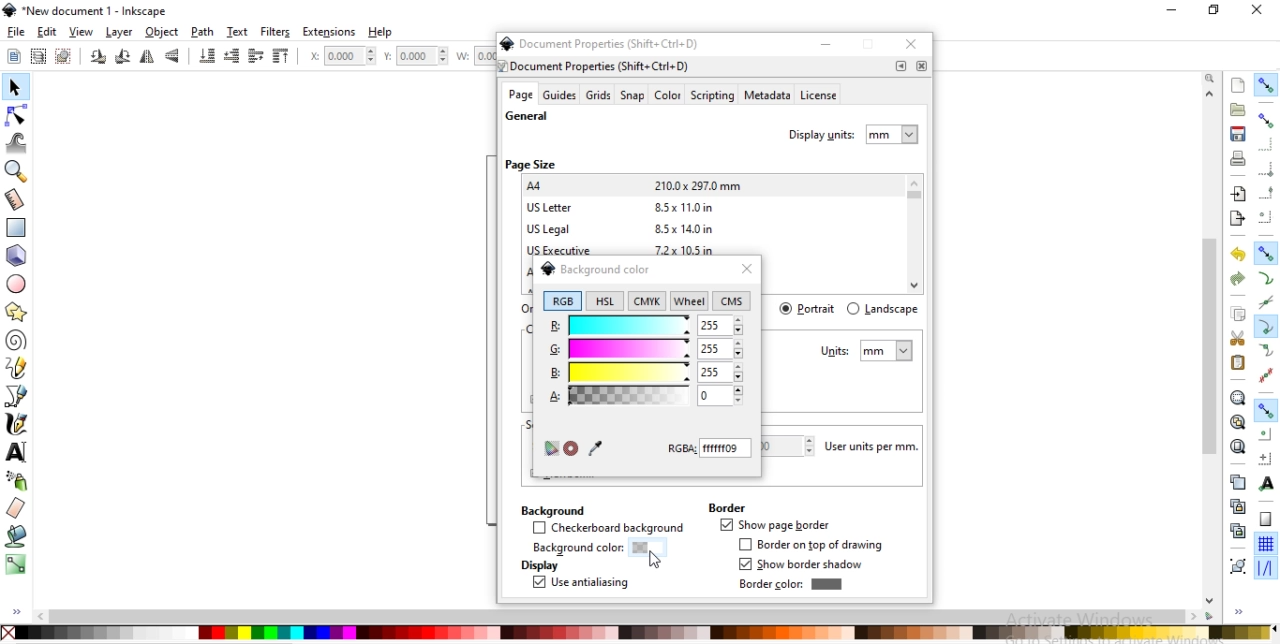 This screenshot has width=1280, height=644. I want to click on path, so click(204, 32).